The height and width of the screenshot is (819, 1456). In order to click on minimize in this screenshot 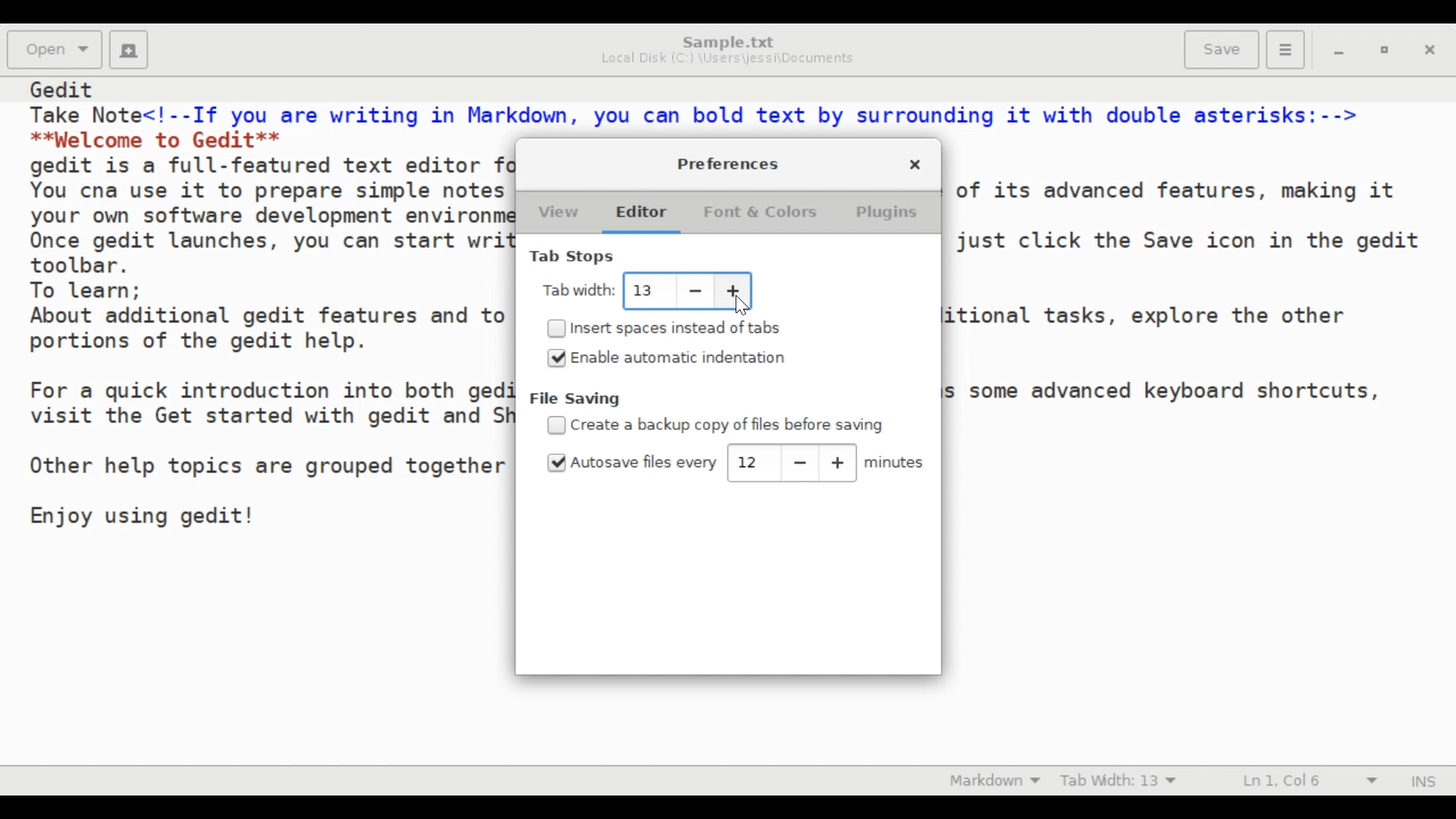, I will do `click(1341, 54)`.